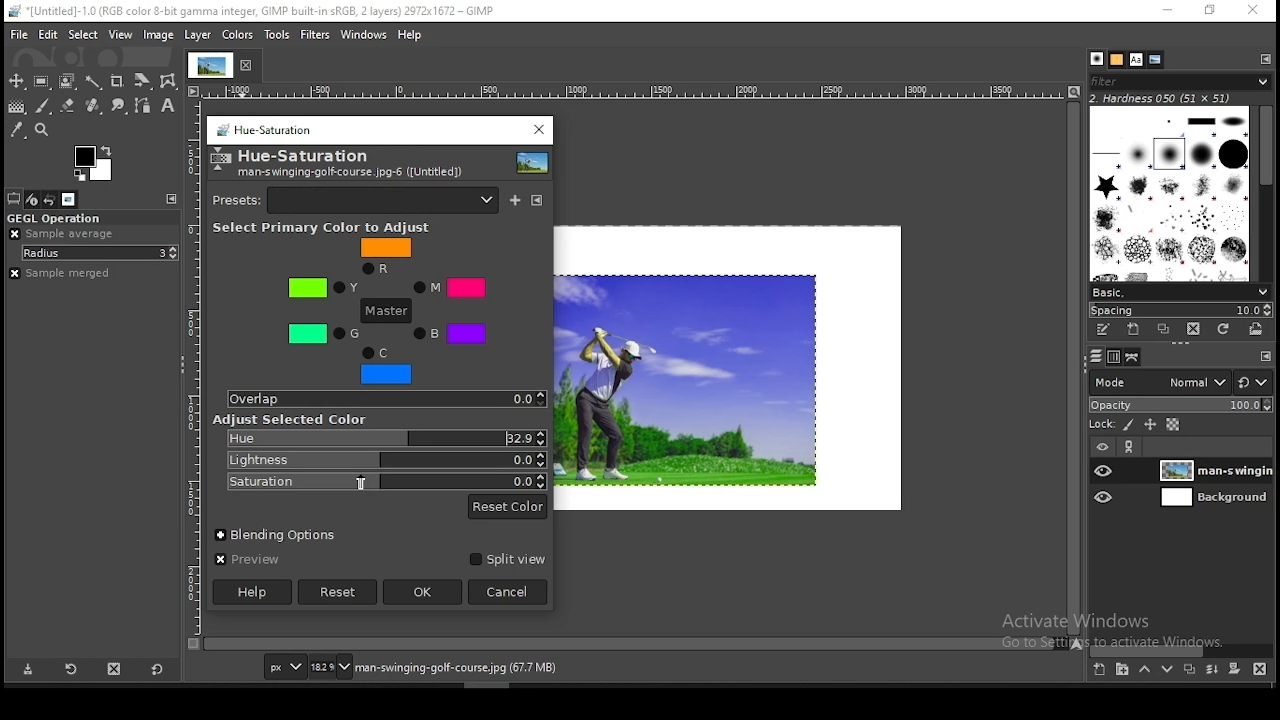 The image size is (1280, 720). Describe the element at coordinates (363, 482) in the screenshot. I see `mouse pointer` at that location.